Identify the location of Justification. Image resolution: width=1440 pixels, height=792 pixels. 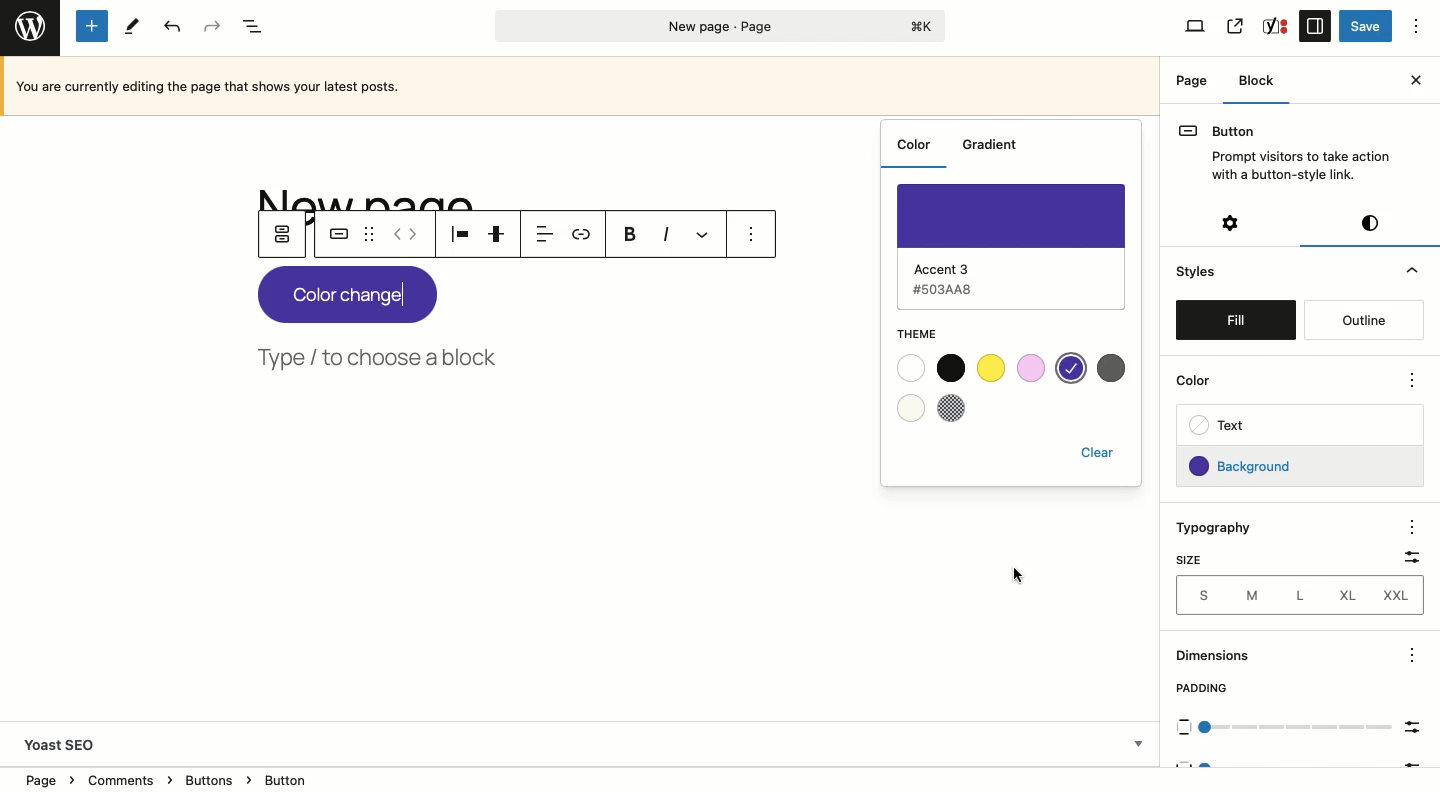
(497, 233).